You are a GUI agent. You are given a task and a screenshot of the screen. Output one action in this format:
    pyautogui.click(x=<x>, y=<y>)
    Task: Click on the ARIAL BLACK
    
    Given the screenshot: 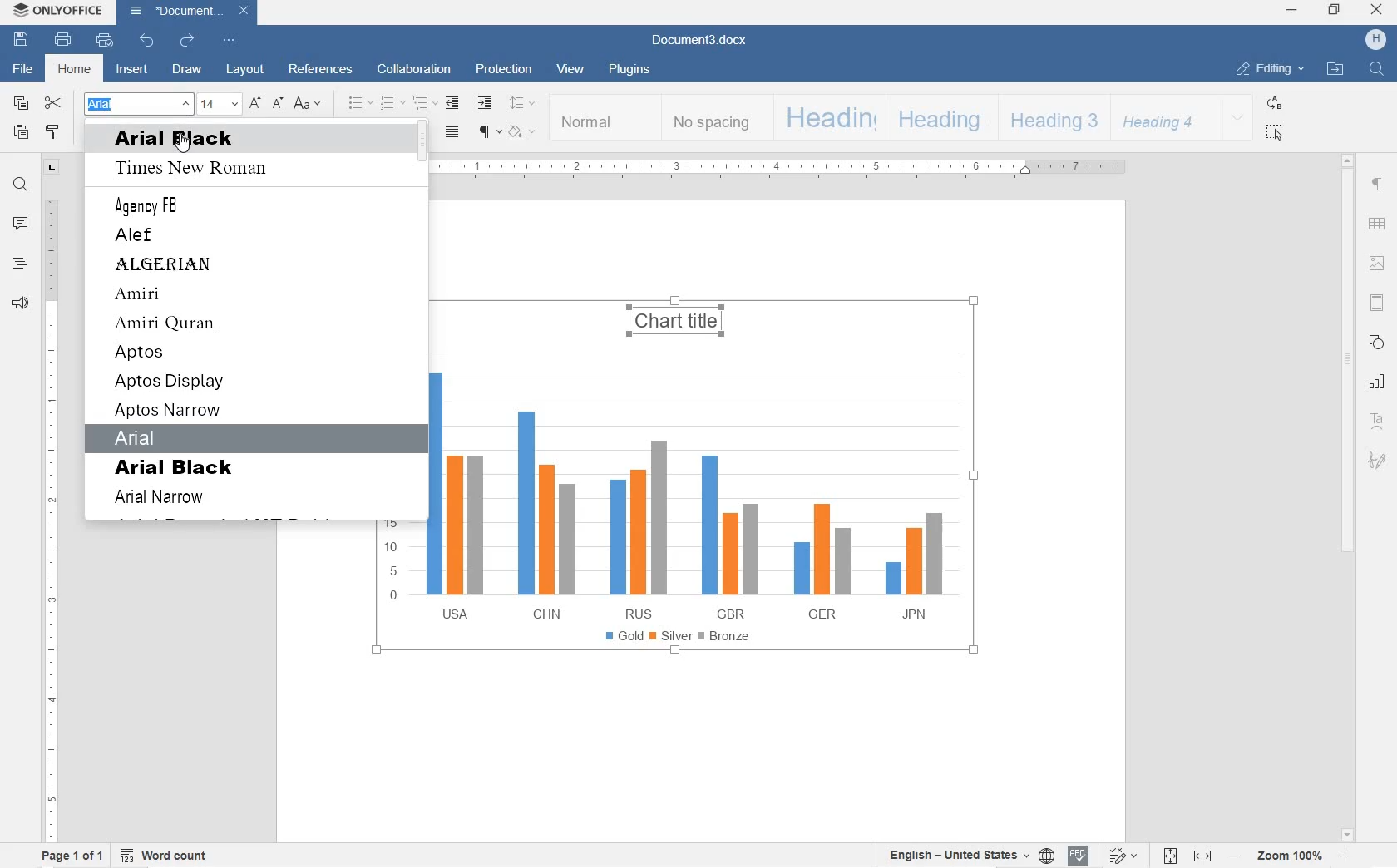 What is the action you would take?
    pyautogui.click(x=208, y=140)
    